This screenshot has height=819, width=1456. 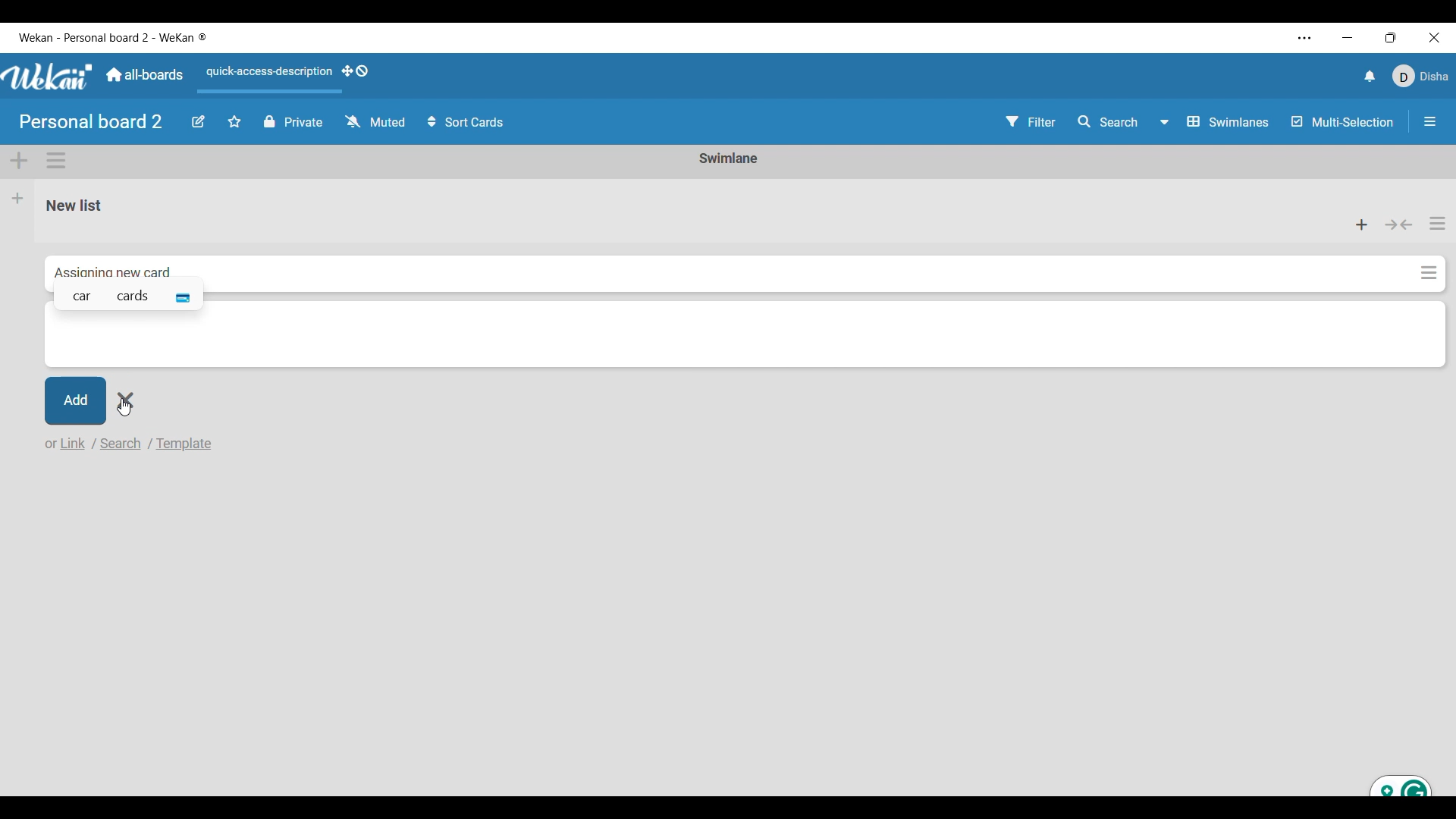 What do you see at coordinates (1438, 223) in the screenshot?
I see `List actions` at bounding box center [1438, 223].